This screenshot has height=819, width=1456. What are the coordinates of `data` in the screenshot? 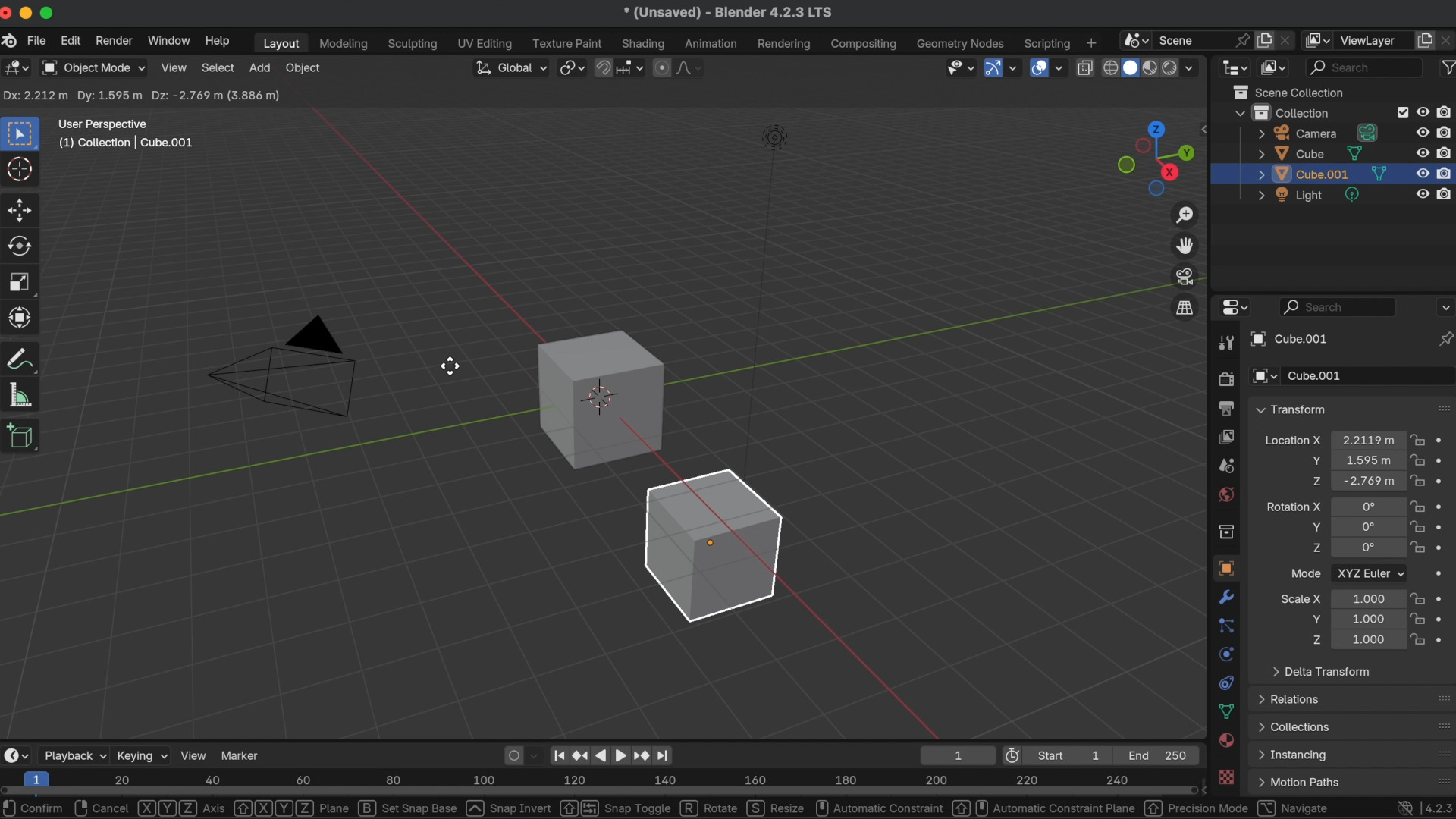 It's located at (1227, 711).